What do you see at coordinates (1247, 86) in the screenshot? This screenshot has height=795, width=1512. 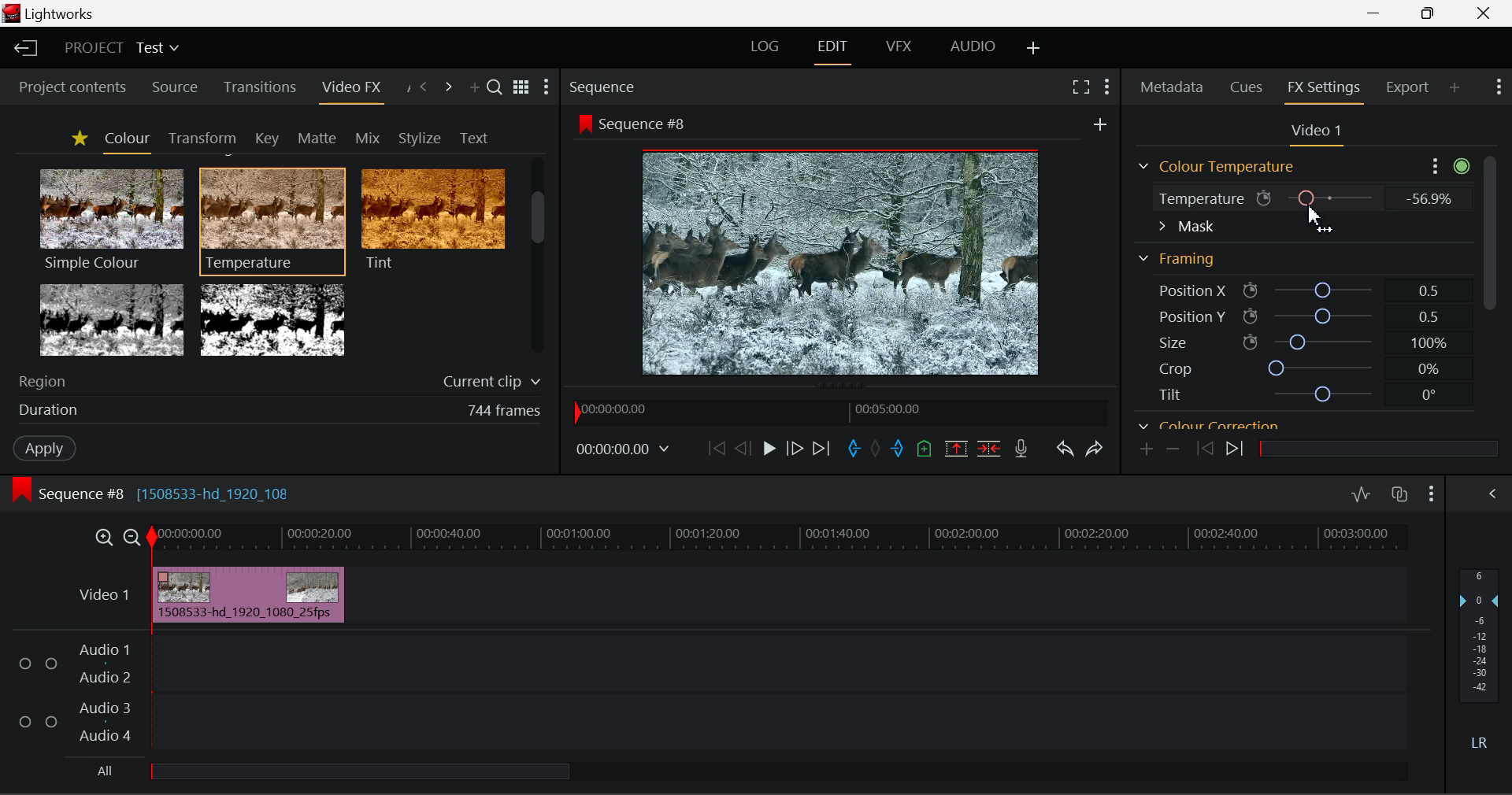 I see `Cues` at bounding box center [1247, 86].